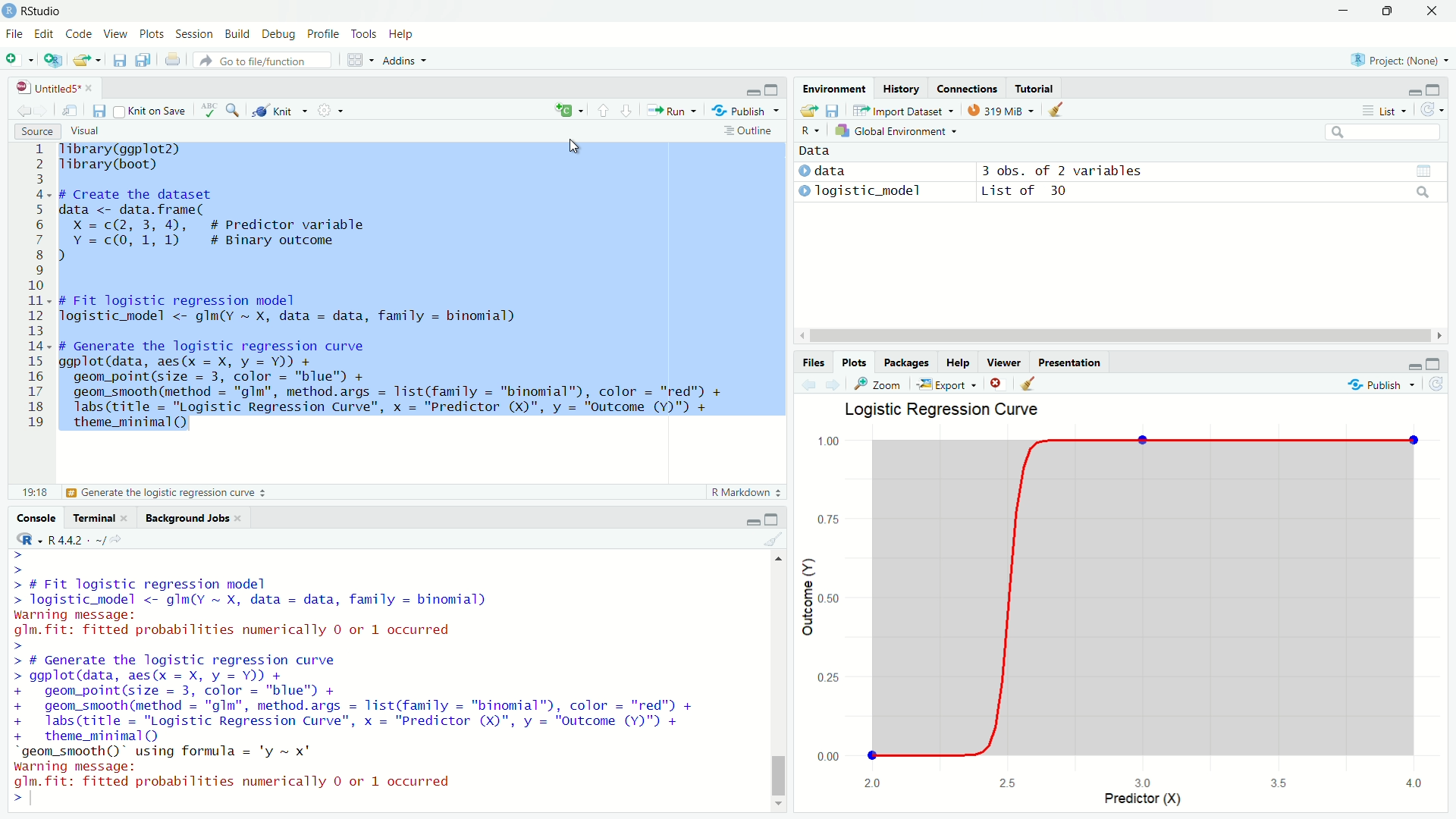 Image resolution: width=1456 pixels, height=819 pixels. What do you see at coordinates (152, 111) in the screenshot?
I see `Knit on Save` at bounding box center [152, 111].